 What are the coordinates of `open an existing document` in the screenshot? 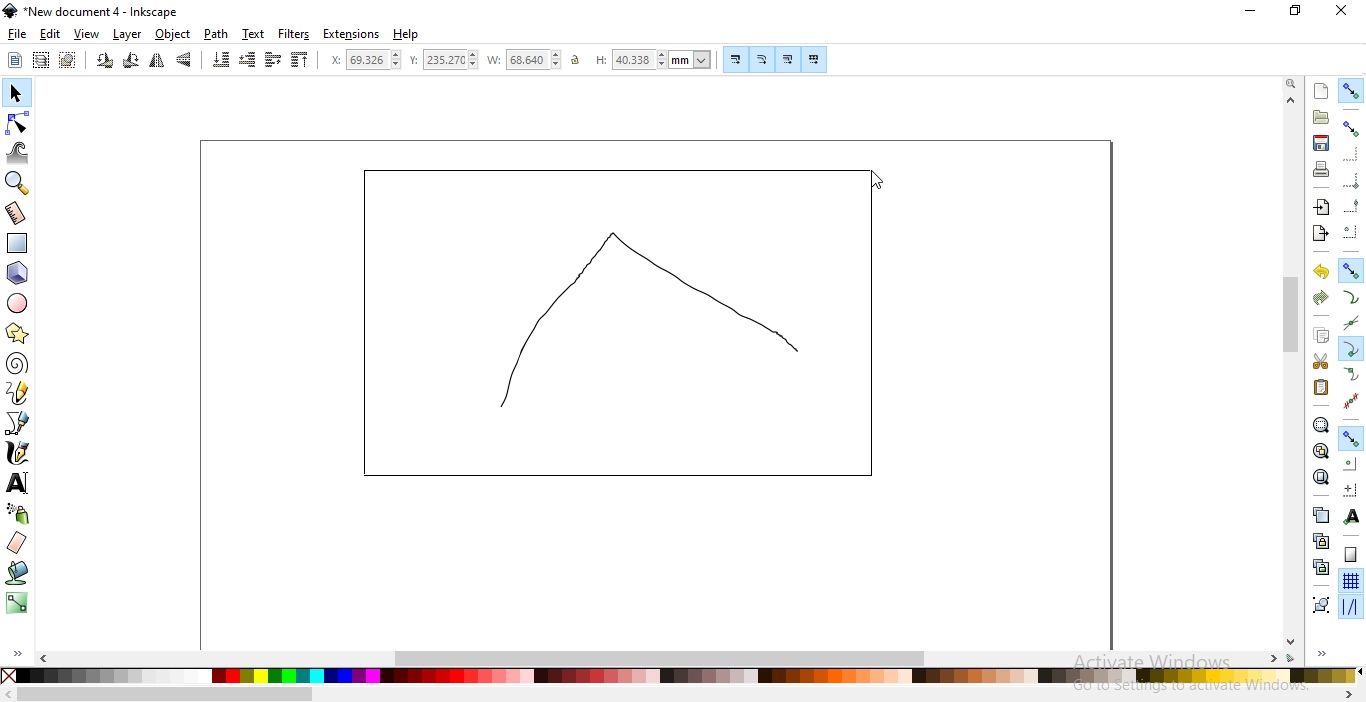 It's located at (1321, 117).